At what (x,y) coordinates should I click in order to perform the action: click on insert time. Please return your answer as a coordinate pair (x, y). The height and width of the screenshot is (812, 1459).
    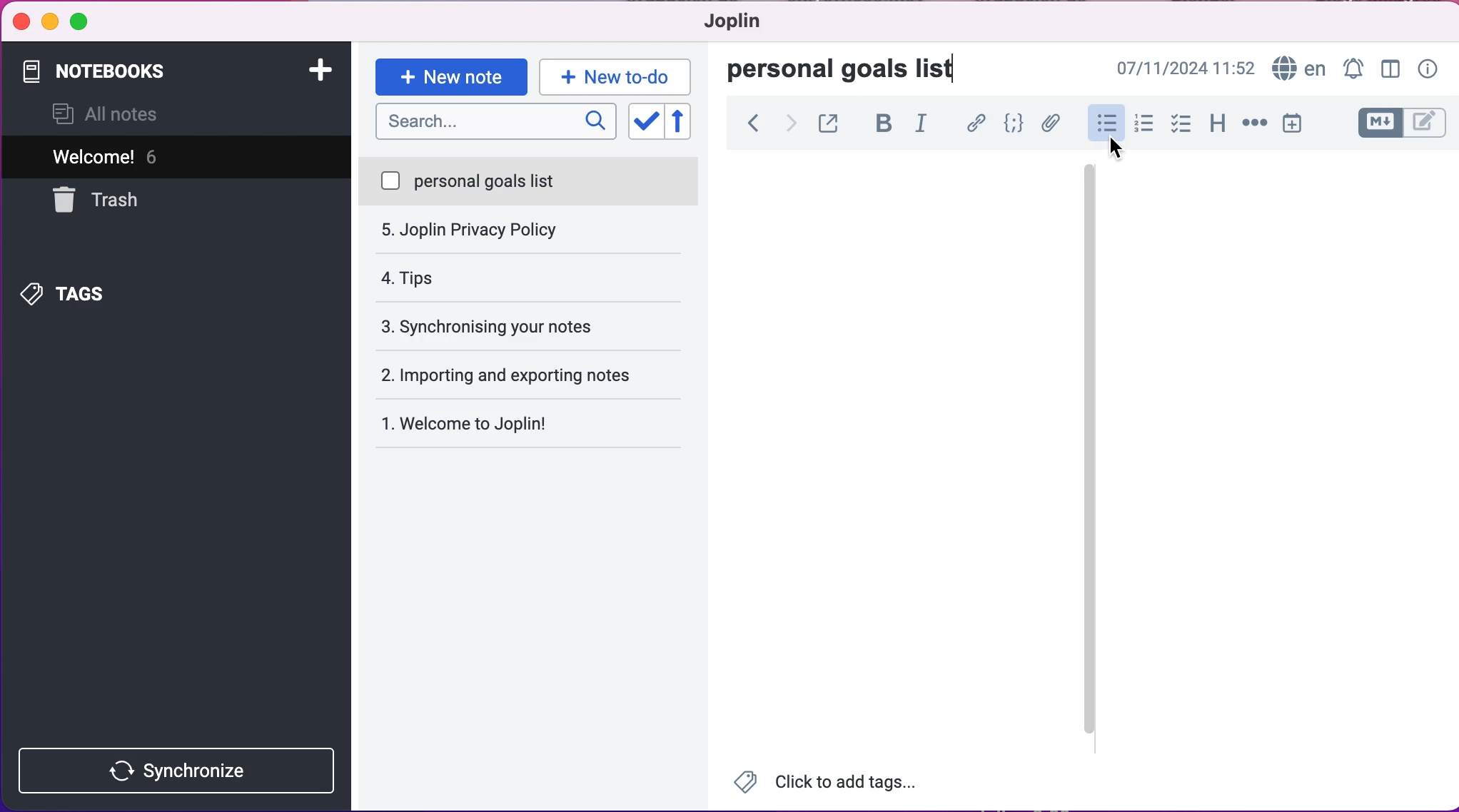
    Looking at the image, I should click on (1298, 126).